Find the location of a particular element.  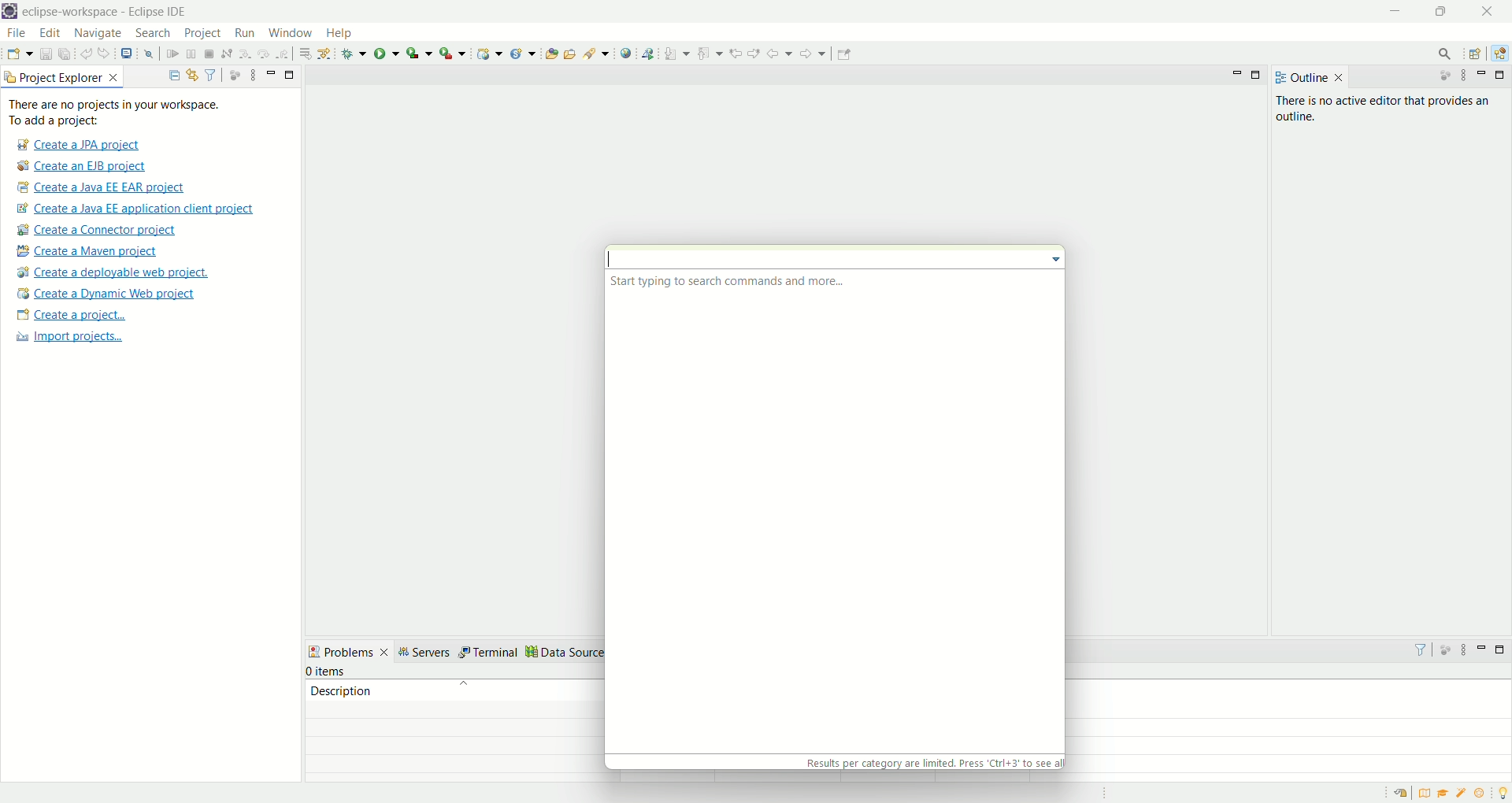

help is located at coordinates (338, 34).